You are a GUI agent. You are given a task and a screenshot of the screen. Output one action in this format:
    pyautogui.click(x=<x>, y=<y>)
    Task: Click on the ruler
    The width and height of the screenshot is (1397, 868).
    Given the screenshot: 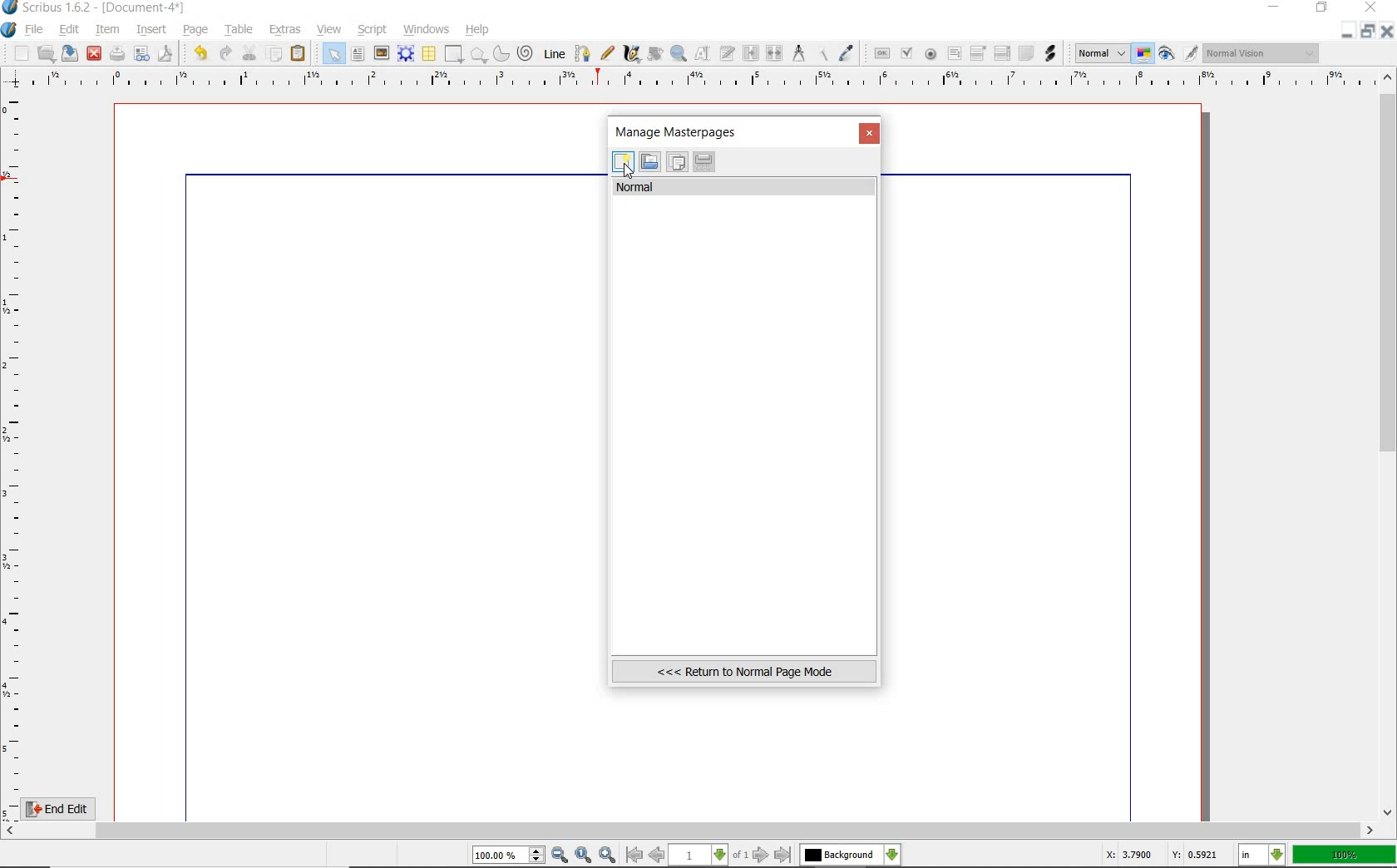 What is the action you would take?
    pyautogui.click(x=699, y=81)
    